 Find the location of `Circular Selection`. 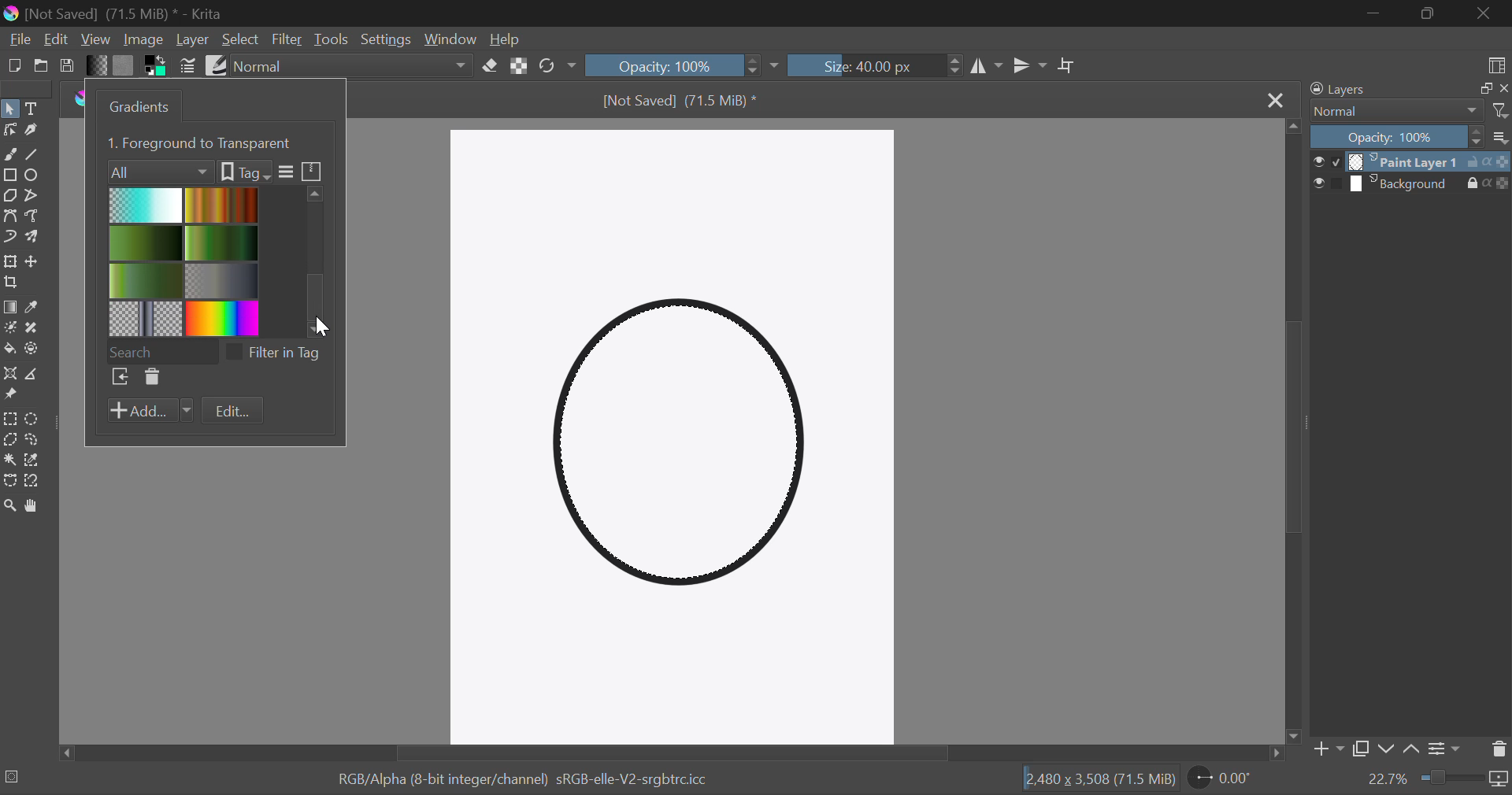

Circular Selection is located at coordinates (35, 417).